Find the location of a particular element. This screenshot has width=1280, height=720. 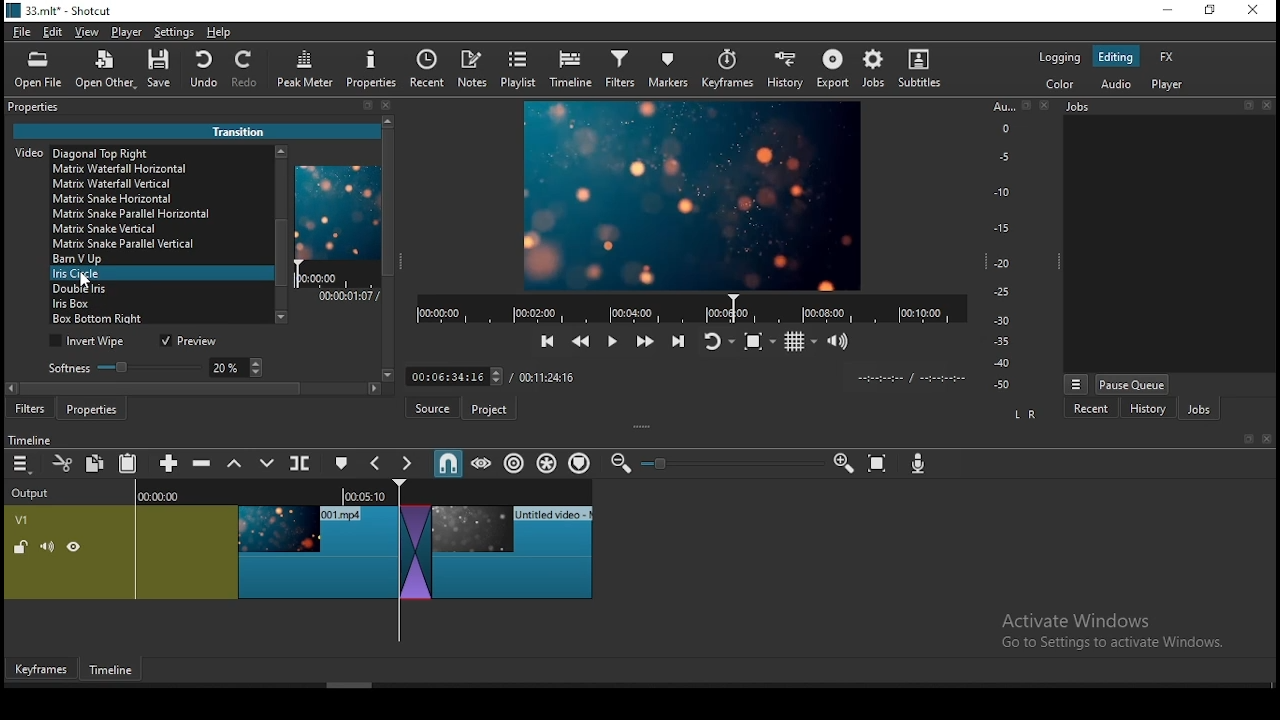

audio is located at coordinates (1117, 84).